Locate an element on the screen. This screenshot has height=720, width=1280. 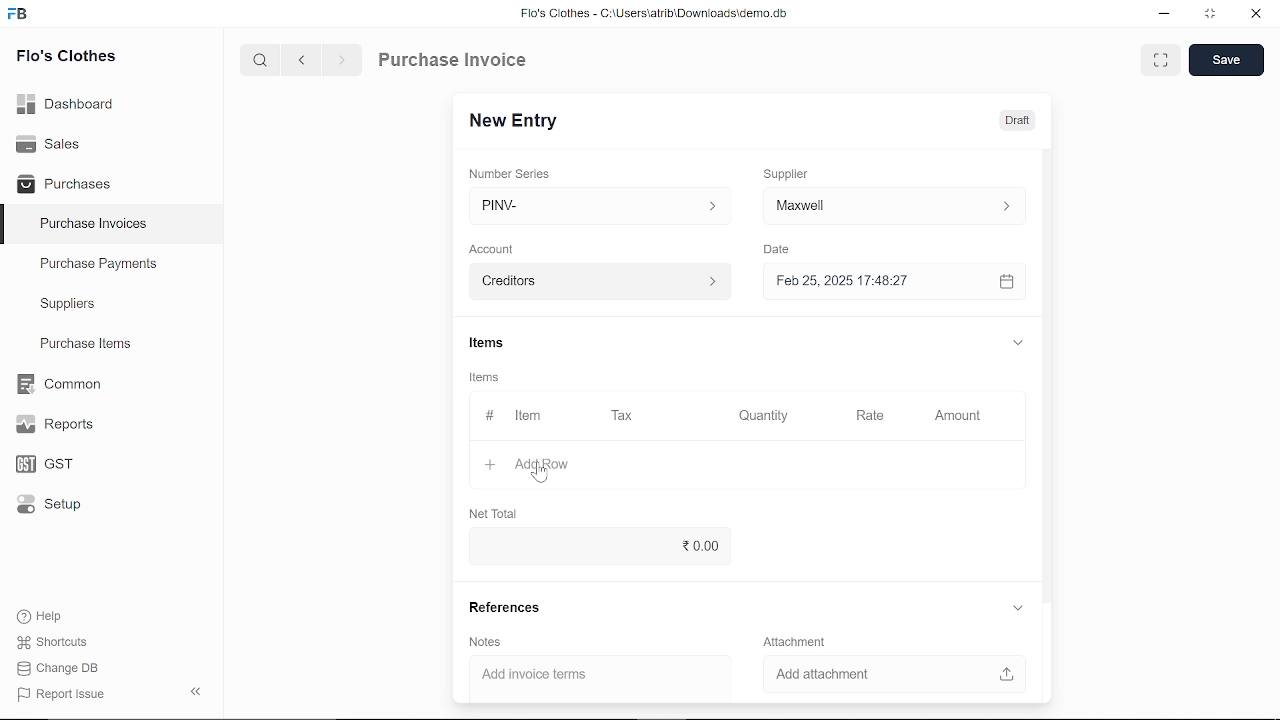
Shortcuts is located at coordinates (49, 643).